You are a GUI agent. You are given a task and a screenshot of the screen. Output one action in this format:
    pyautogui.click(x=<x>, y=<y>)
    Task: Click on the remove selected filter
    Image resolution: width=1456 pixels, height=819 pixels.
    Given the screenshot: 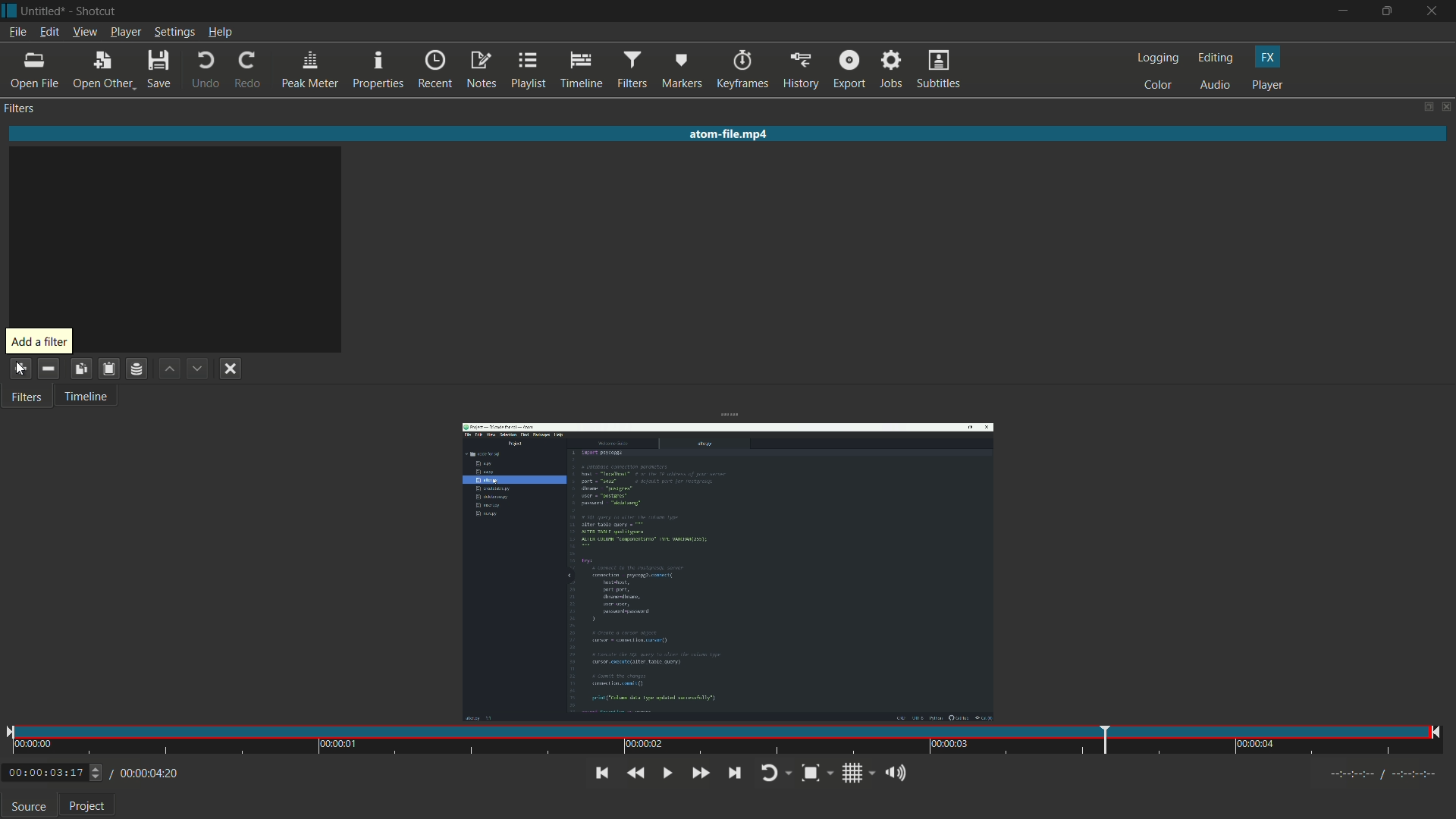 What is the action you would take?
    pyautogui.click(x=49, y=368)
    